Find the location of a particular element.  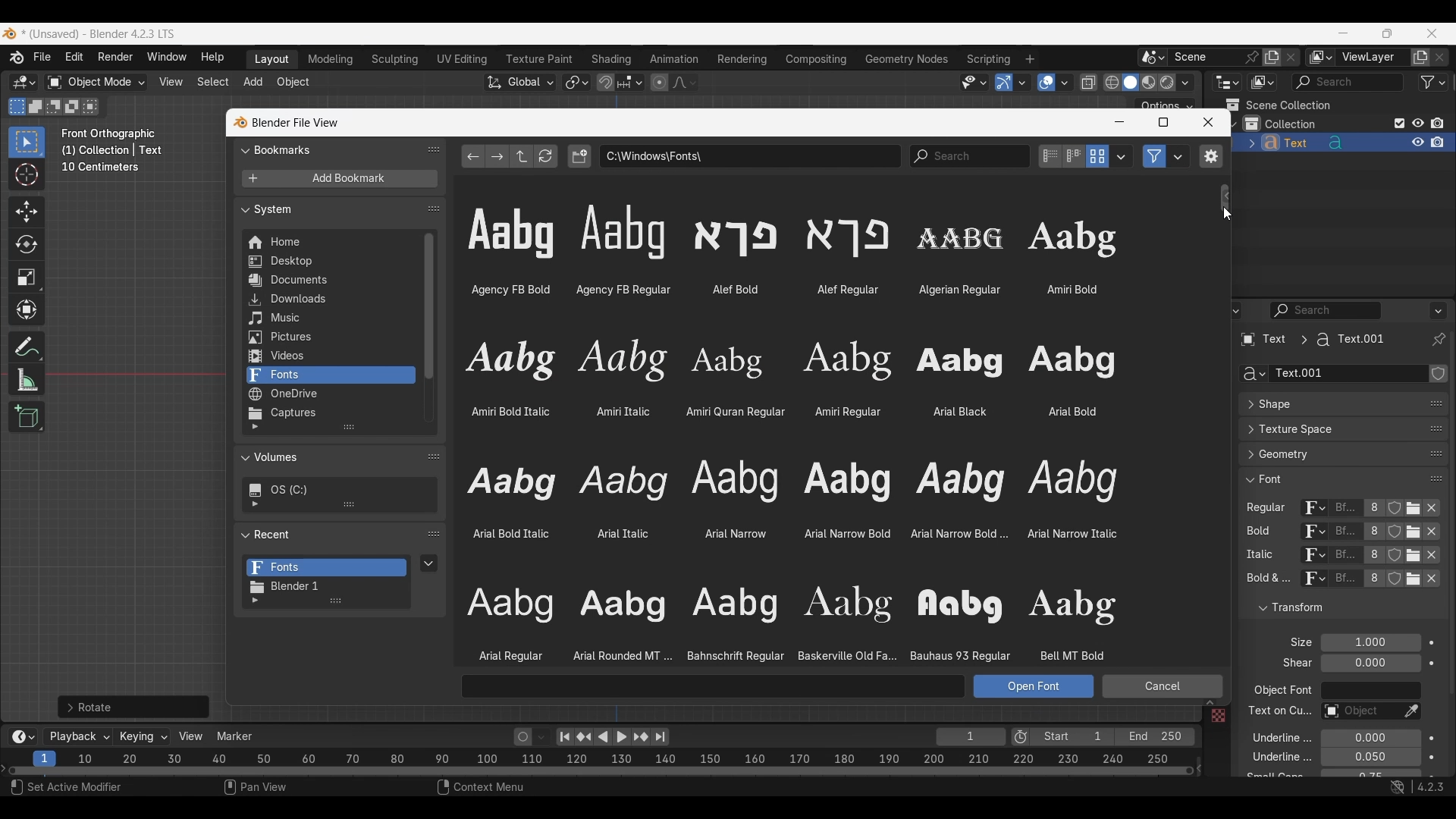

More options is located at coordinates (21, 737).